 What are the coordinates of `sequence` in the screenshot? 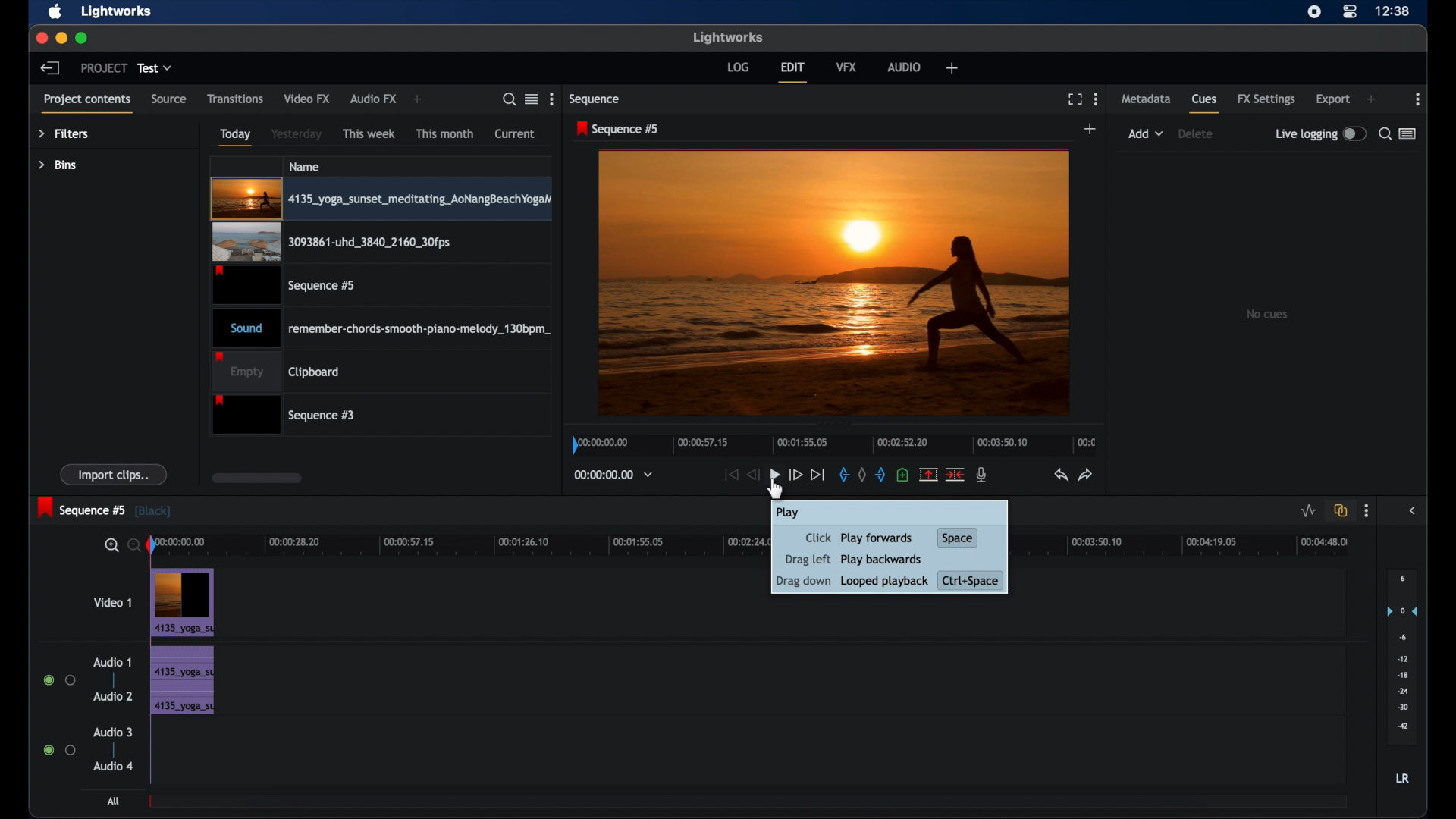 It's located at (597, 99).